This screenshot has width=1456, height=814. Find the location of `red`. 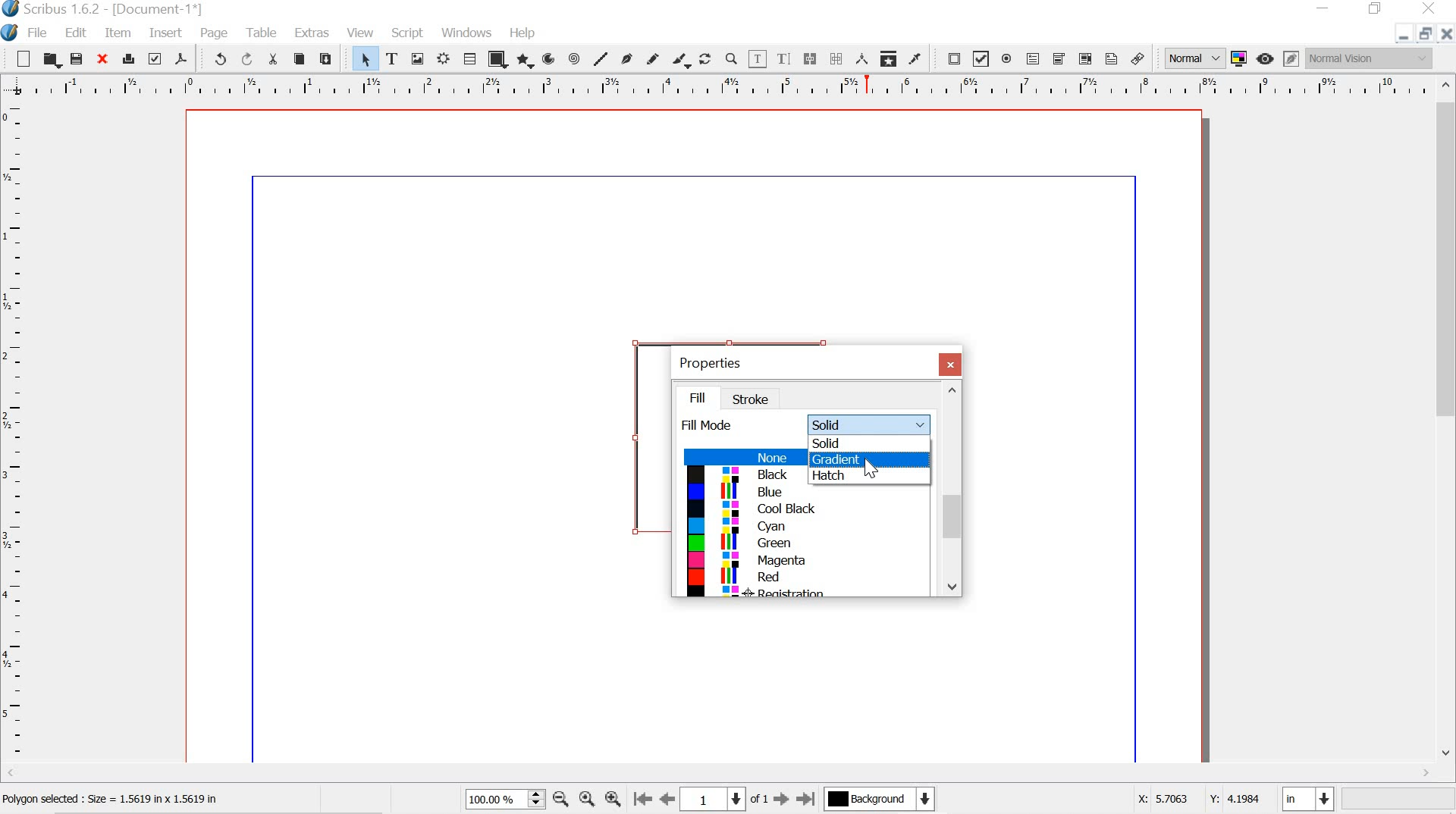

red is located at coordinates (802, 577).